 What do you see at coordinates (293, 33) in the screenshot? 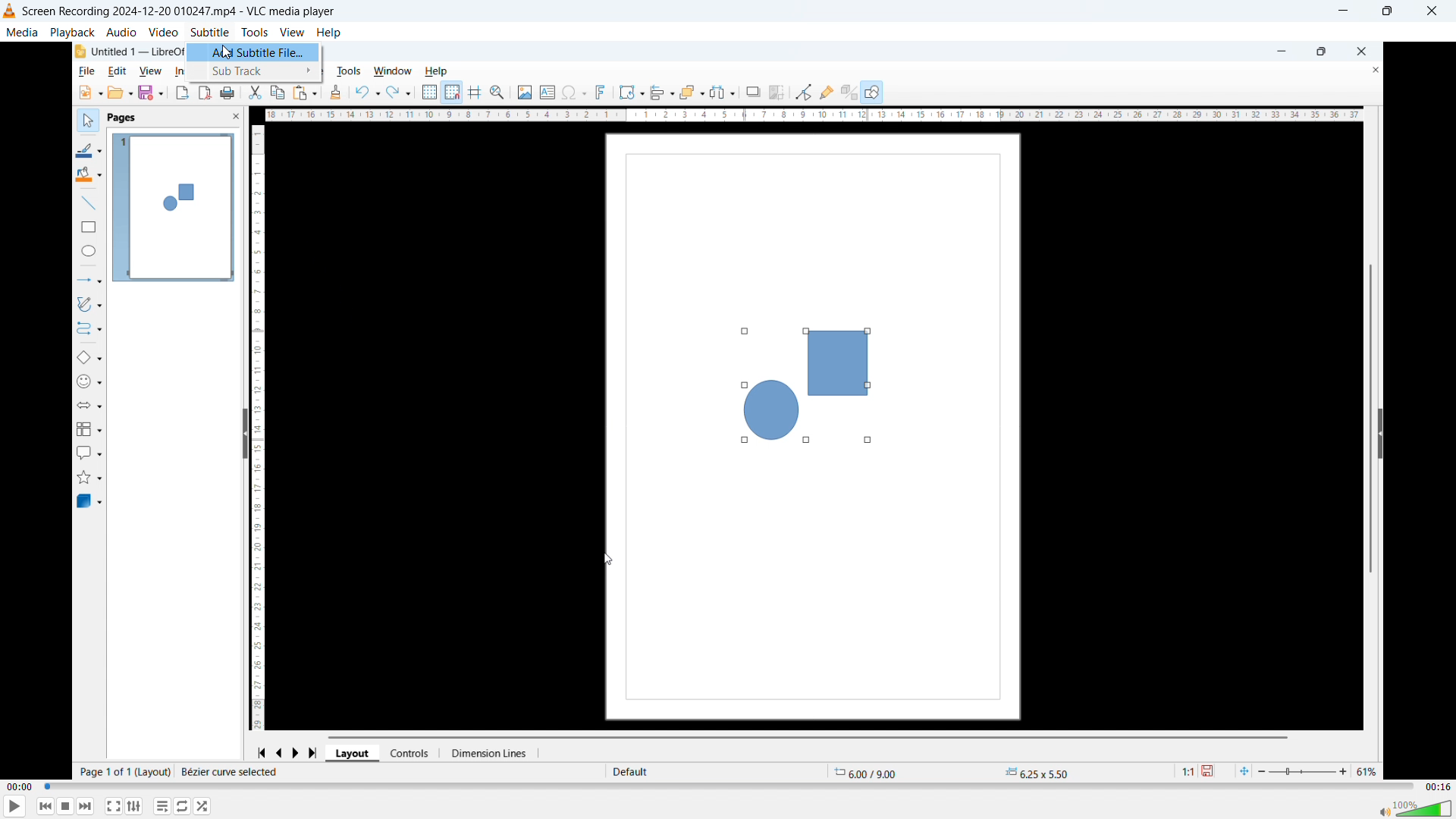
I see `view ` at bounding box center [293, 33].